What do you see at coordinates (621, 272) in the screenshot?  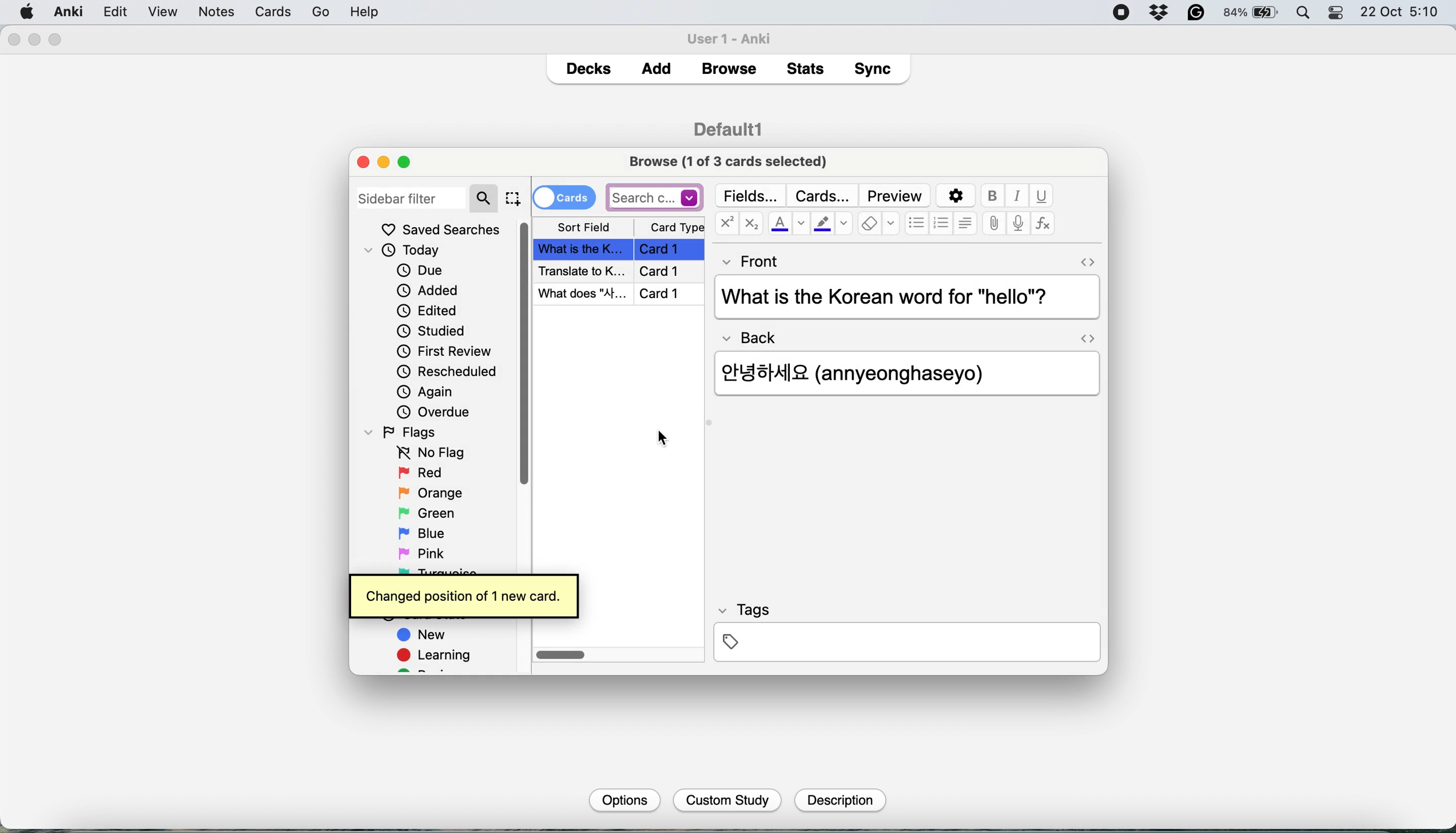 I see `What is the K... Card 1
Translate toK... Card 1
What does "At... Card 1` at bounding box center [621, 272].